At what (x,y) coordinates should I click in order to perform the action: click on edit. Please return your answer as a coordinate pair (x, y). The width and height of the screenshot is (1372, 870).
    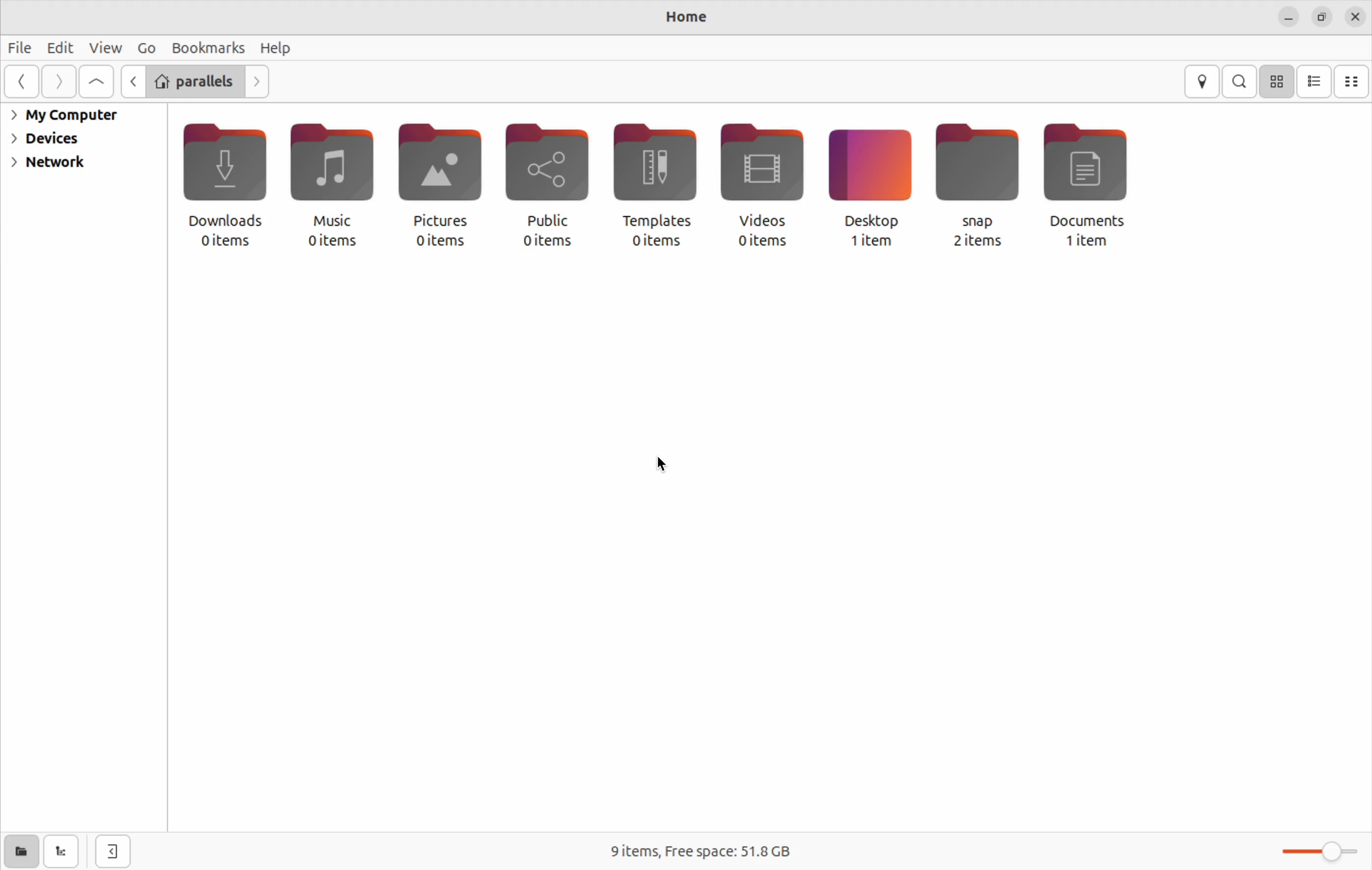
    Looking at the image, I should click on (59, 46).